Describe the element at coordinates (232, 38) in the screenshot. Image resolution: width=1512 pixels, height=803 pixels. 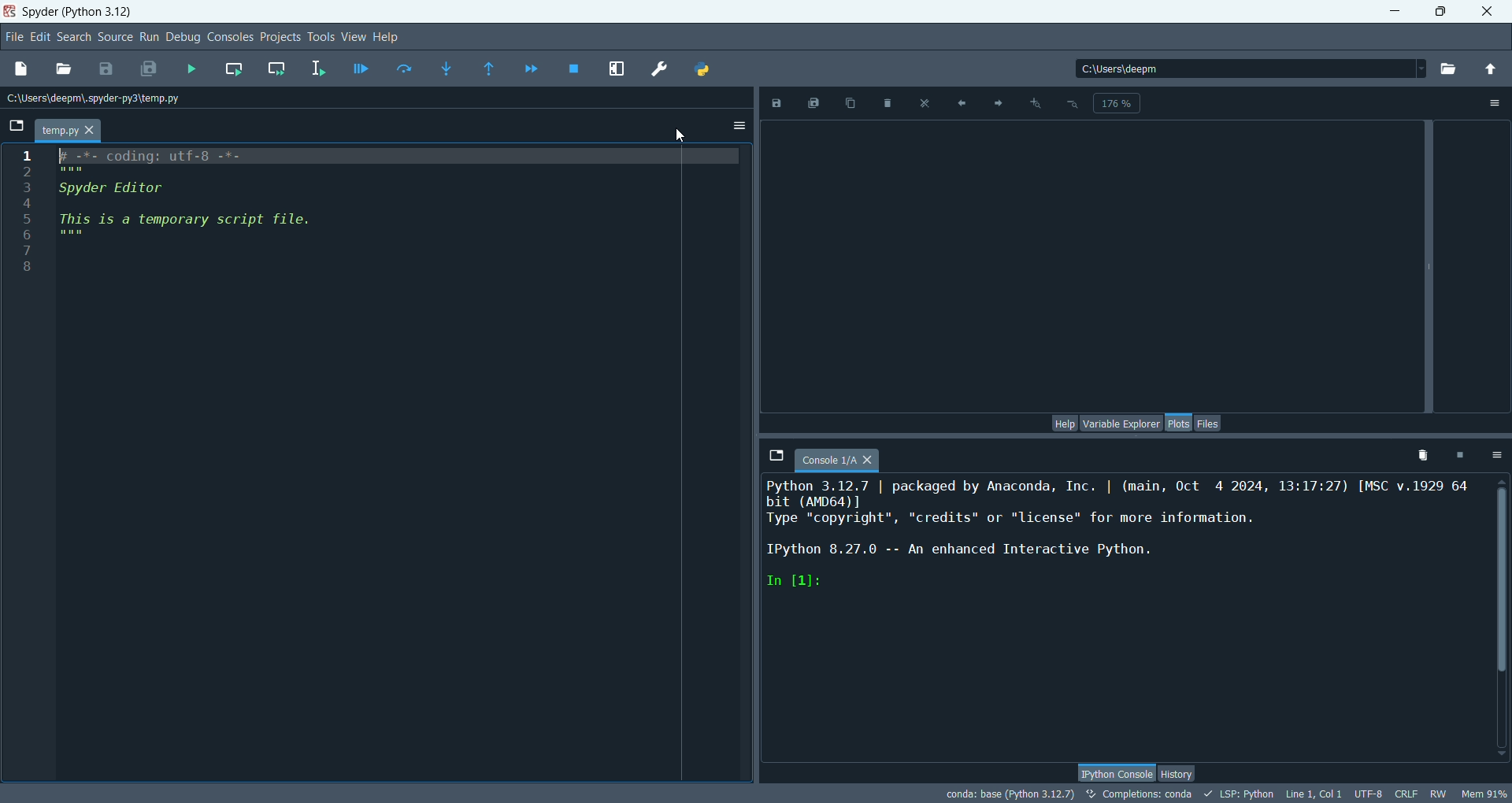
I see `consoles` at that location.